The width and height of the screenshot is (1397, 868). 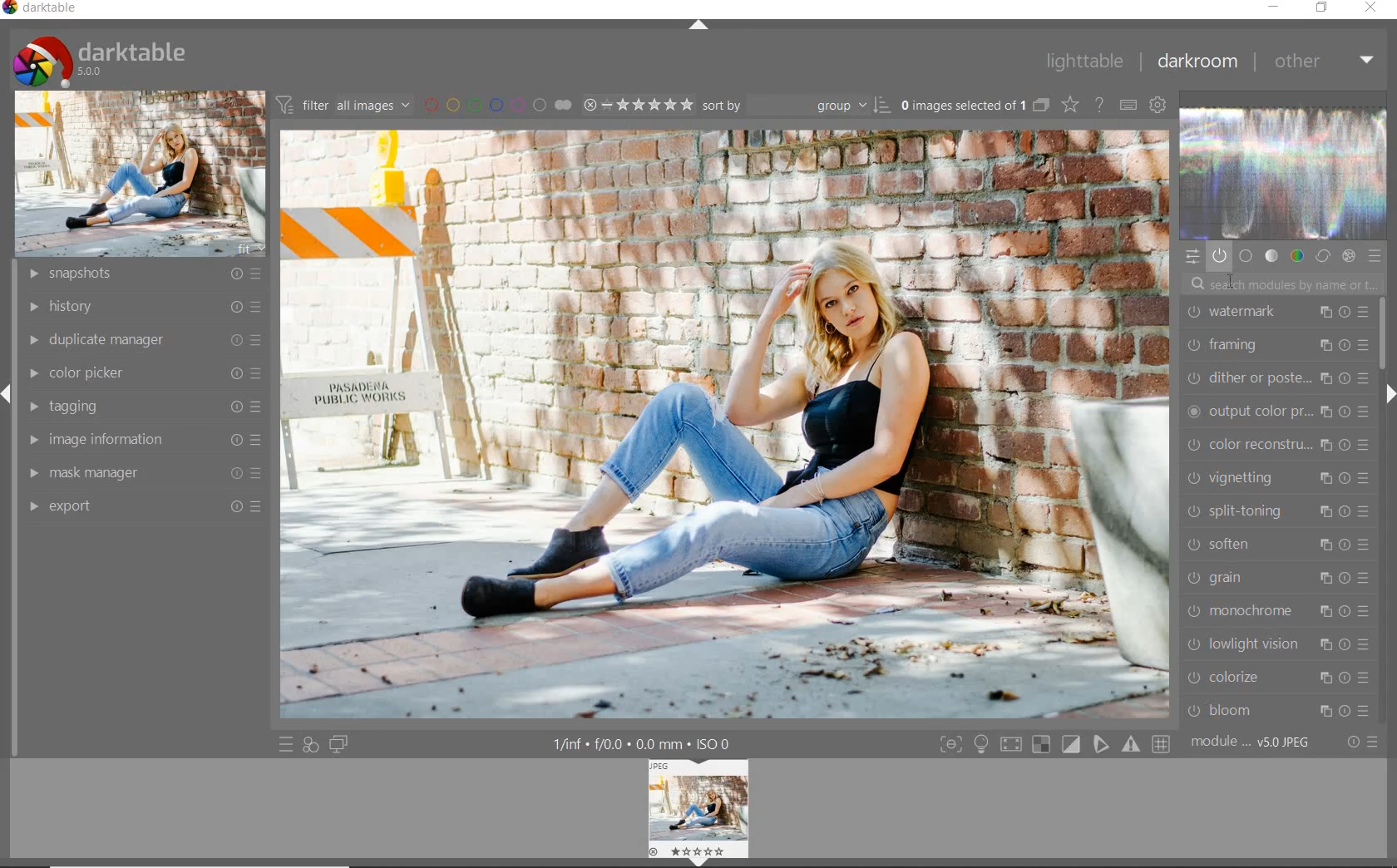 What do you see at coordinates (1372, 9) in the screenshot?
I see `close` at bounding box center [1372, 9].